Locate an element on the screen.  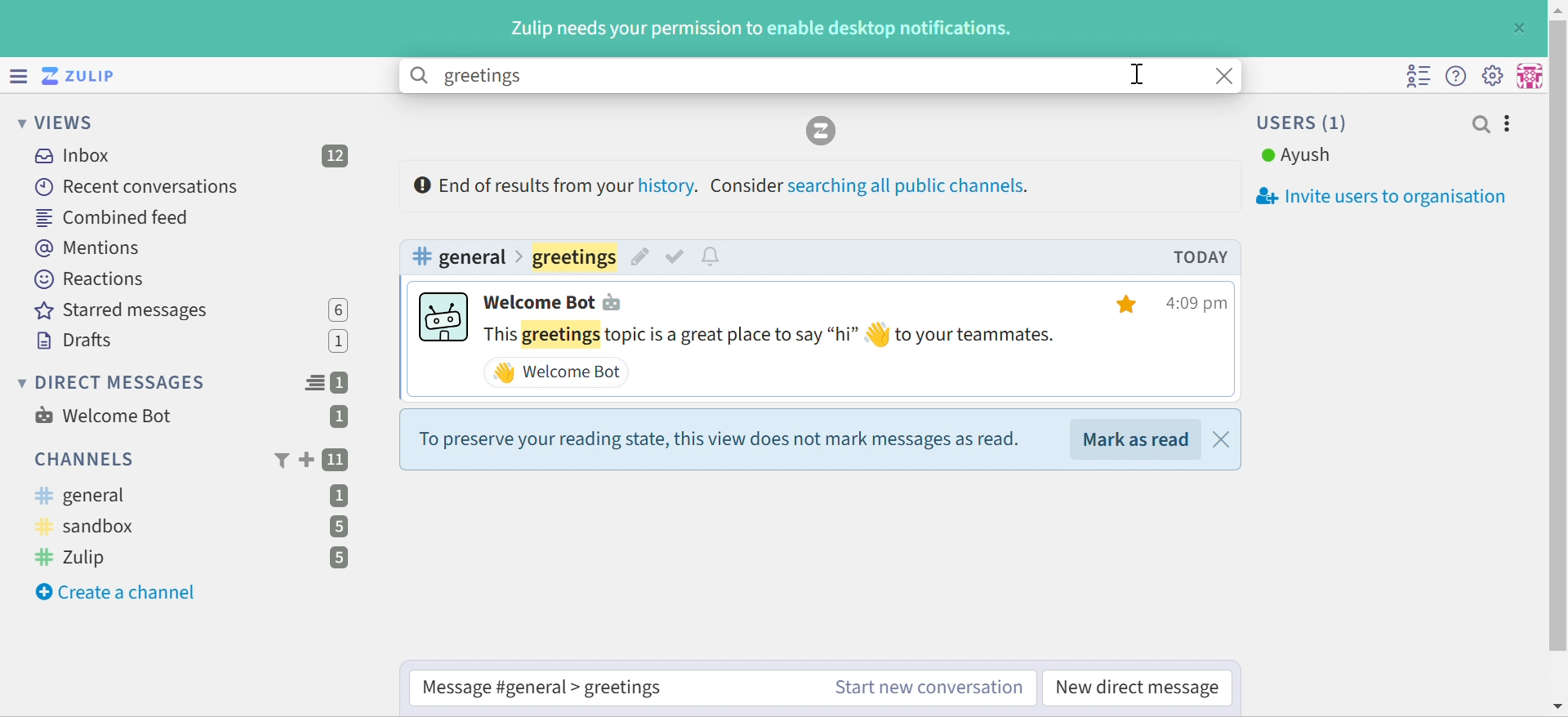
Start new conversation is located at coordinates (929, 688).